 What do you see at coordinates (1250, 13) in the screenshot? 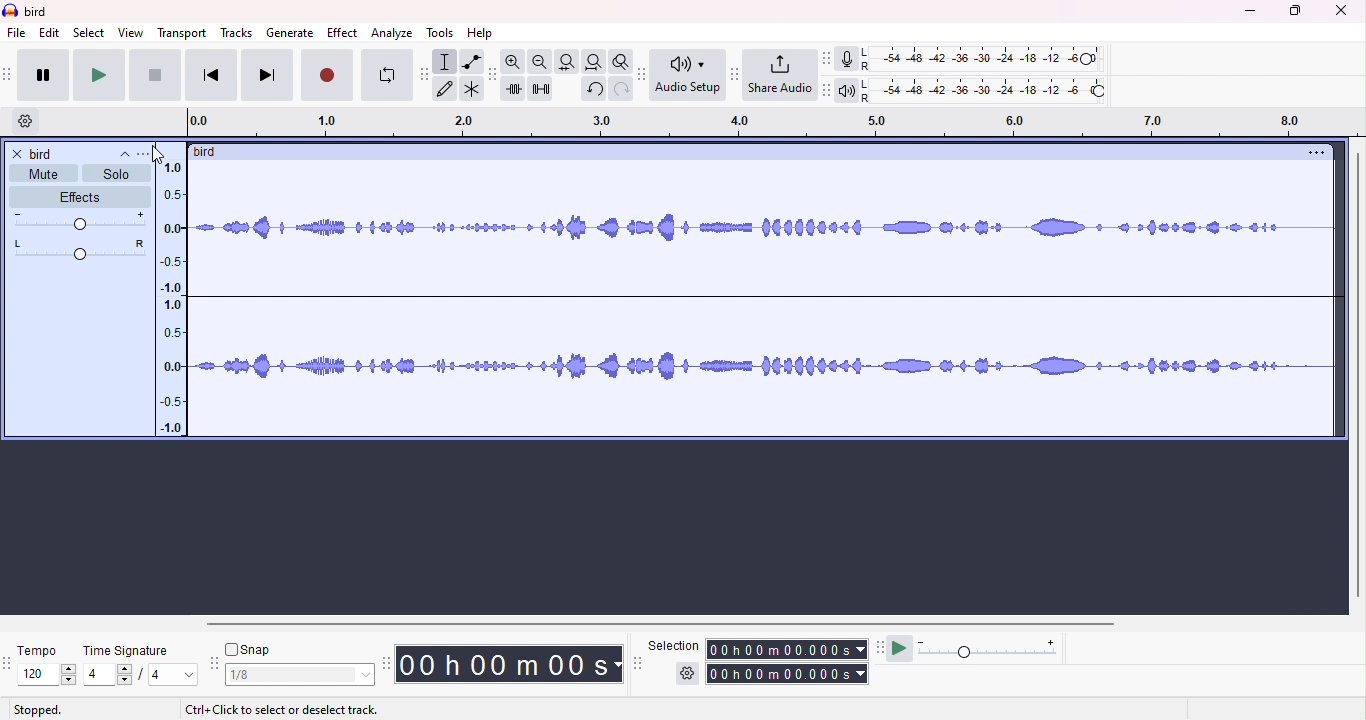
I see `minimize` at bounding box center [1250, 13].